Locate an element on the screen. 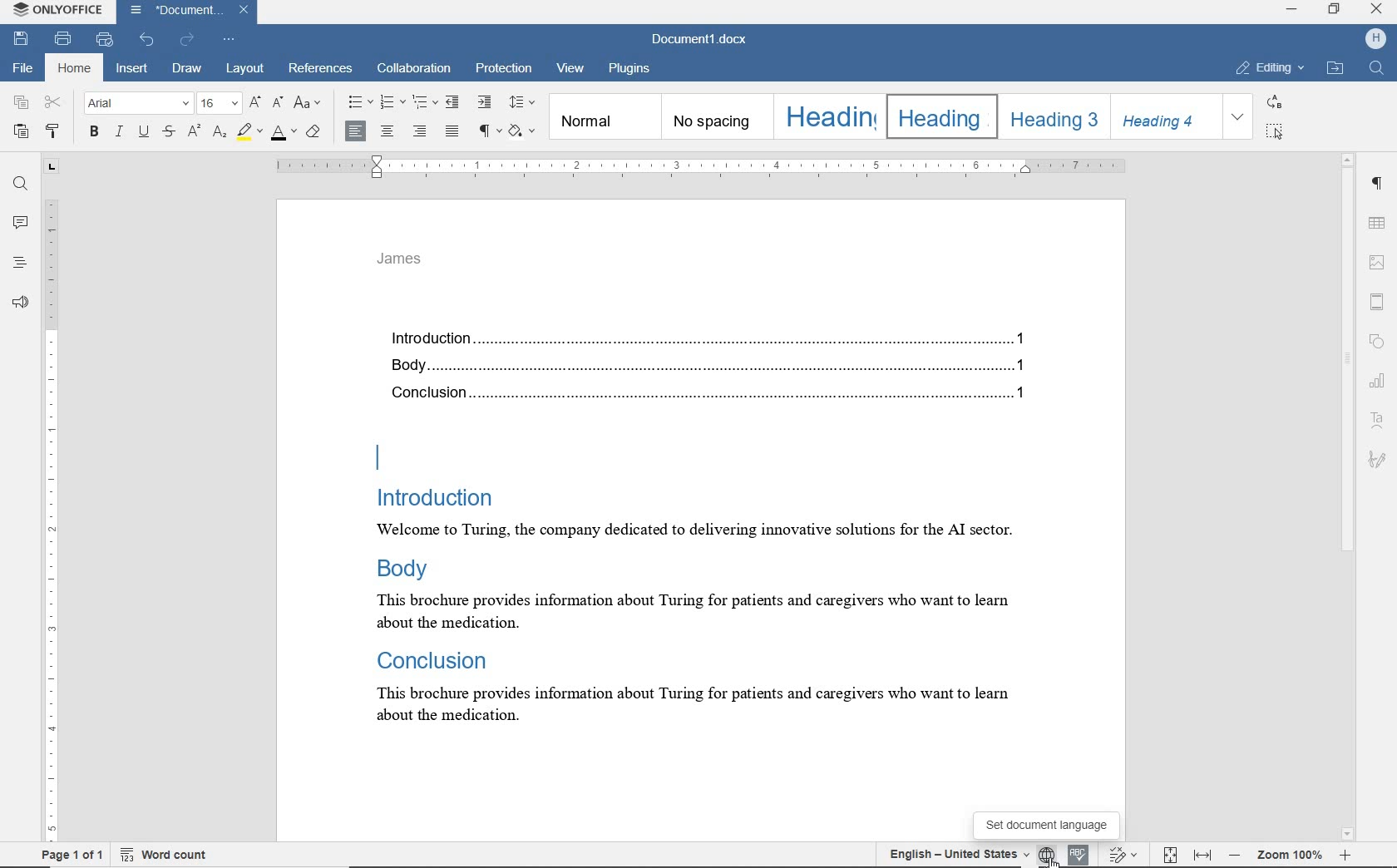 The height and width of the screenshot is (868, 1397). strikethrough is located at coordinates (169, 133).